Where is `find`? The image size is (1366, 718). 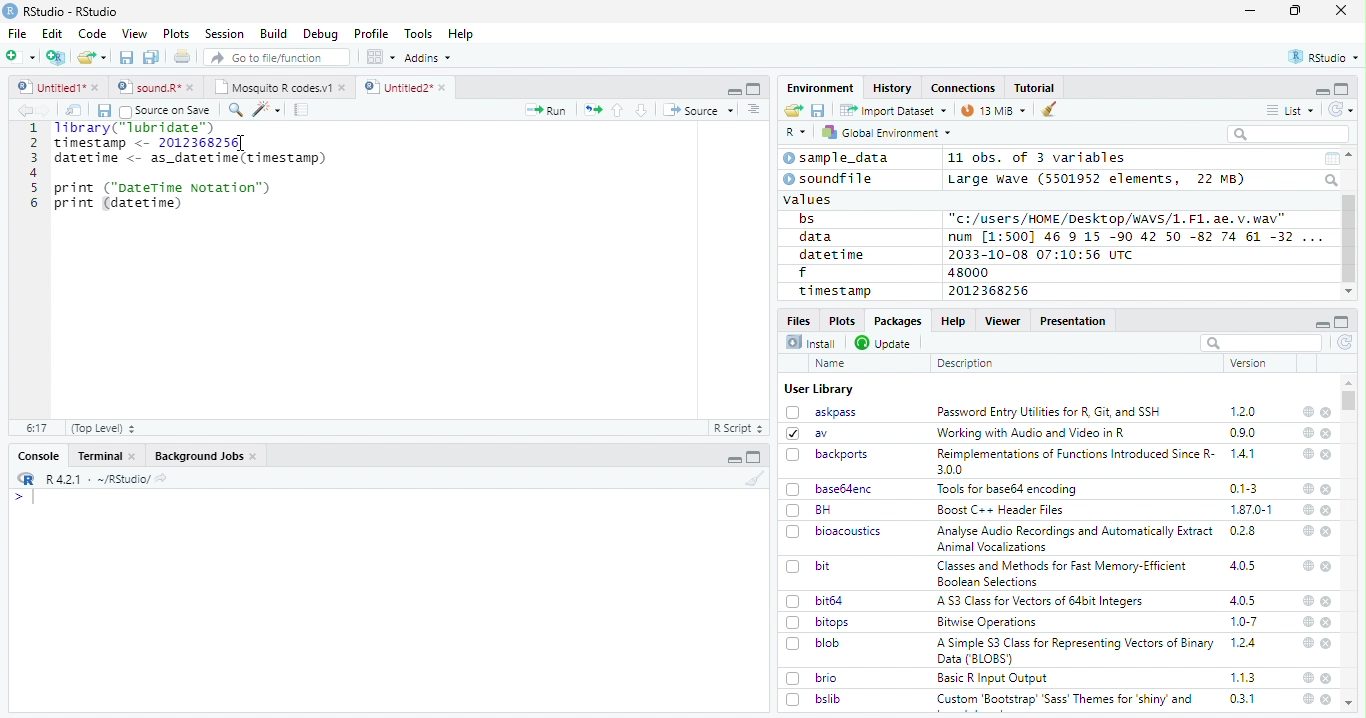
find is located at coordinates (233, 108).